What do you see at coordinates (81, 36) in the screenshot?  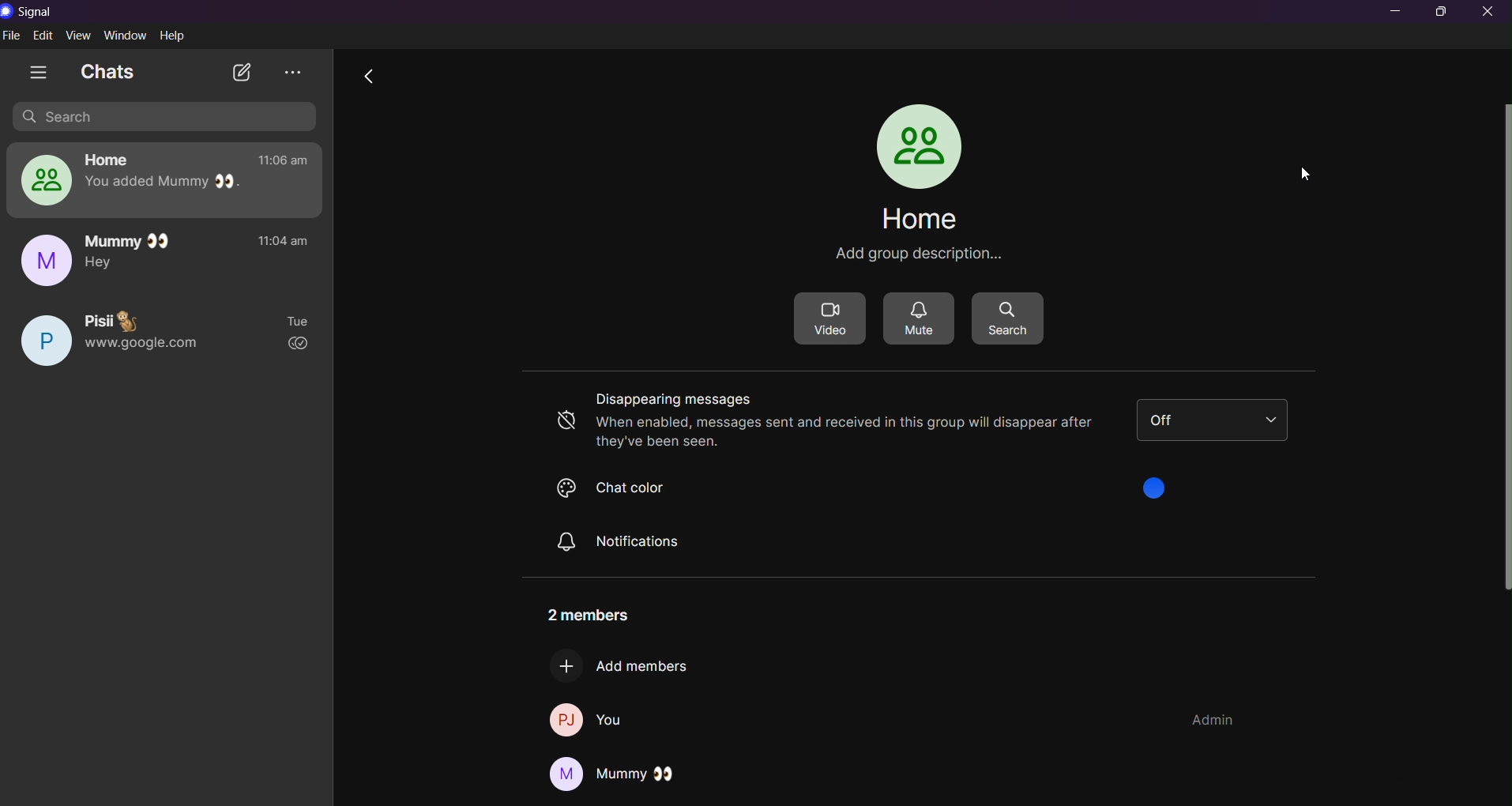 I see `view` at bounding box center [81, 36].